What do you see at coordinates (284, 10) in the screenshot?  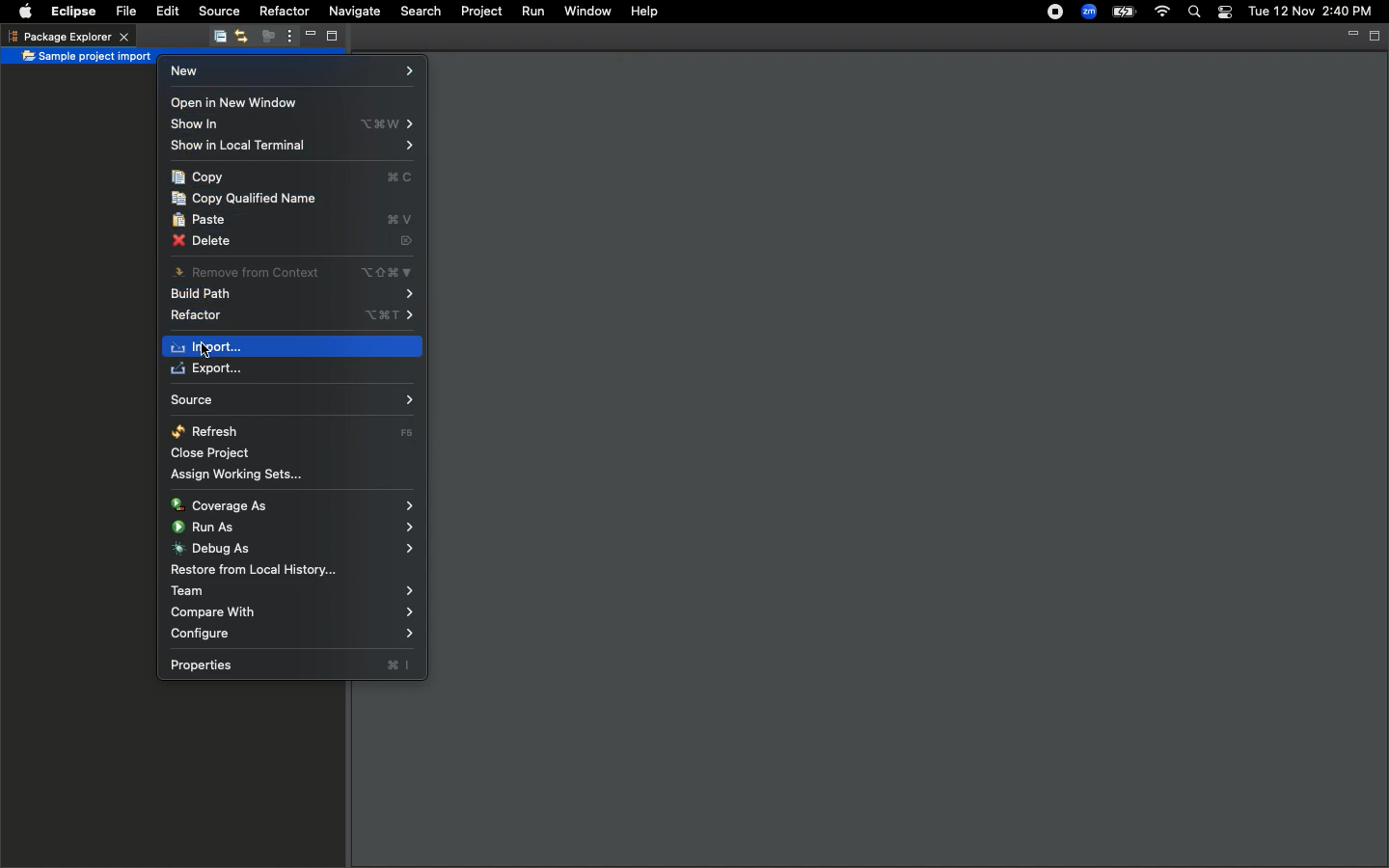 I see `Refactor` at bounding box center [284, 10].